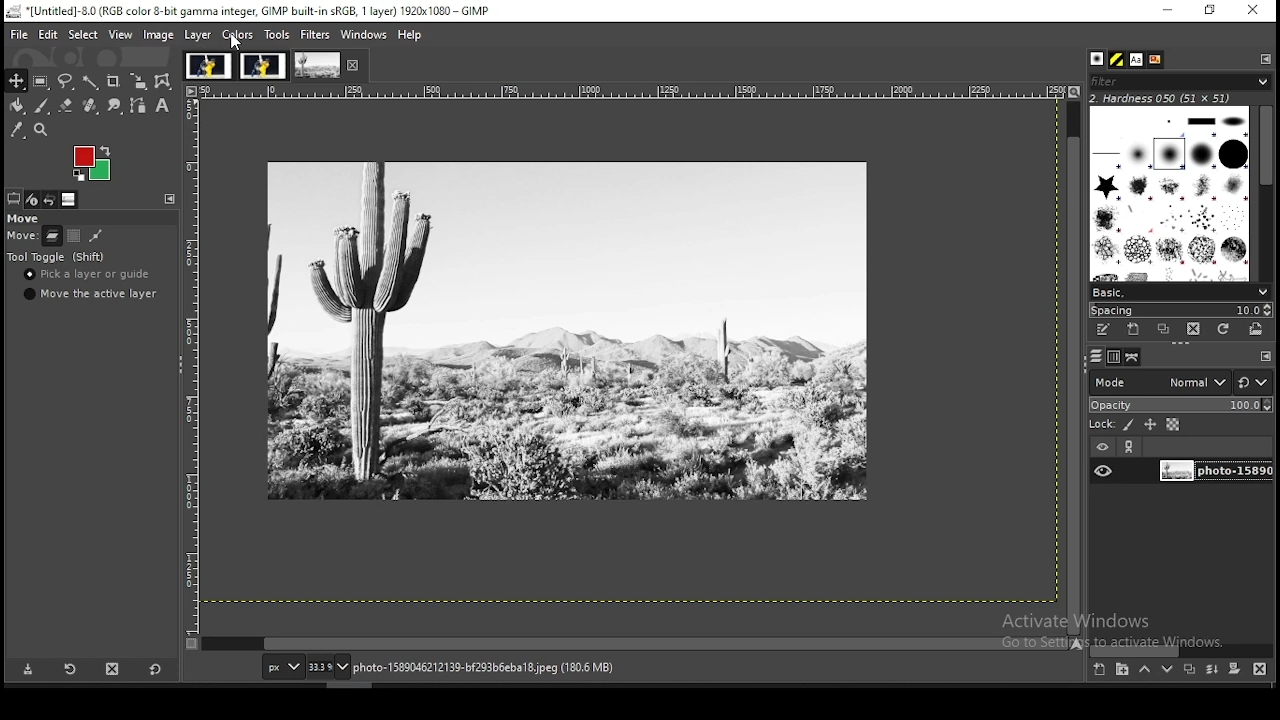 This screenshot has width=1280, height=720. Describe the element at coordinates (1167, 669) in the screenshot. I see `move layer one step down` at that location.